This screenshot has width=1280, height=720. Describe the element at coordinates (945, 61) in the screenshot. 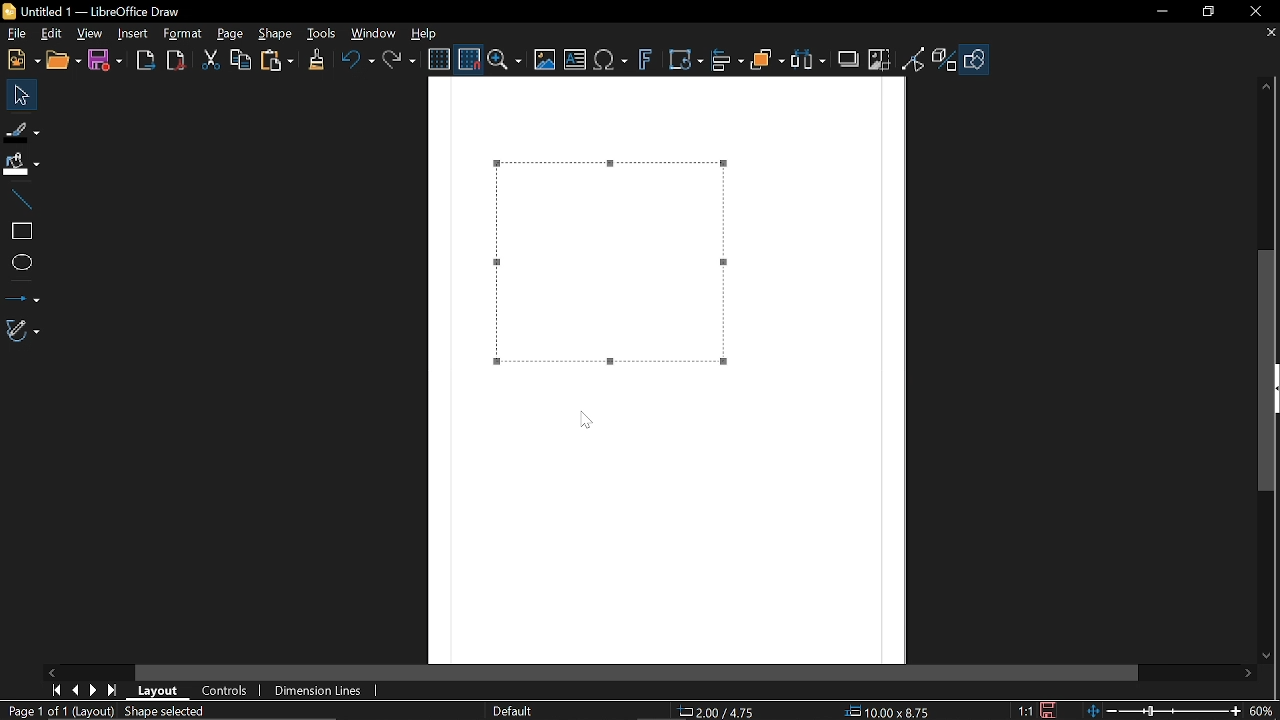

I see `Toggle extrusion` at that location.